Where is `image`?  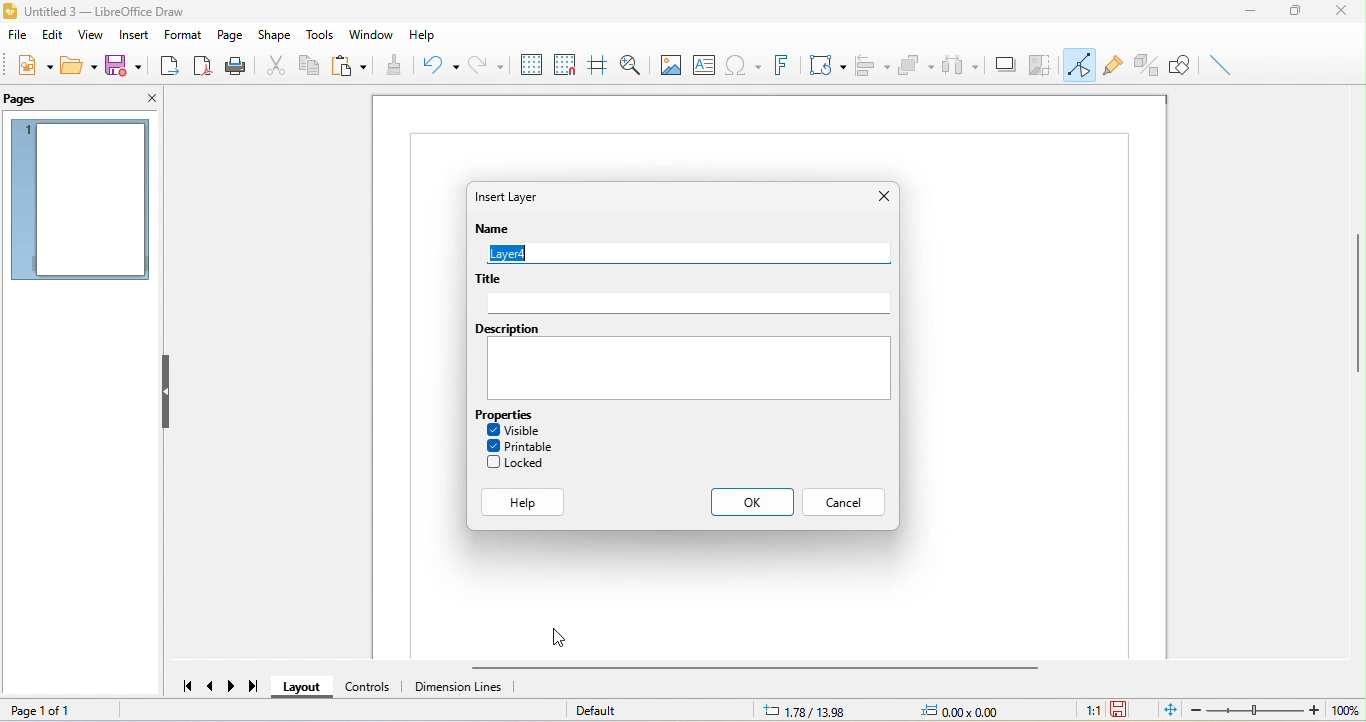
image is located at coordinates (670, 67).